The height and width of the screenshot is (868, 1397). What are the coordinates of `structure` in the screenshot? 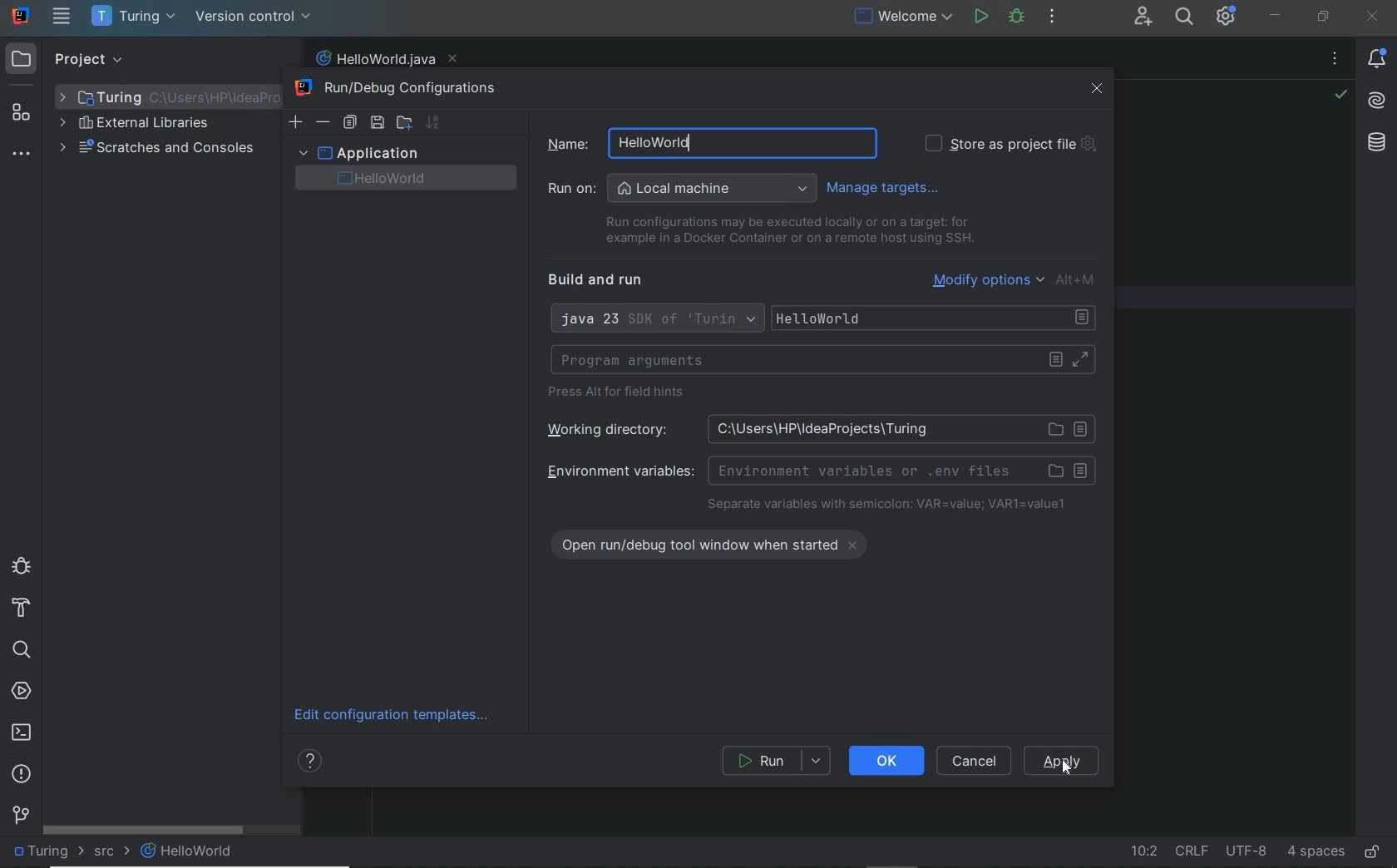 It's located at (22, 113).